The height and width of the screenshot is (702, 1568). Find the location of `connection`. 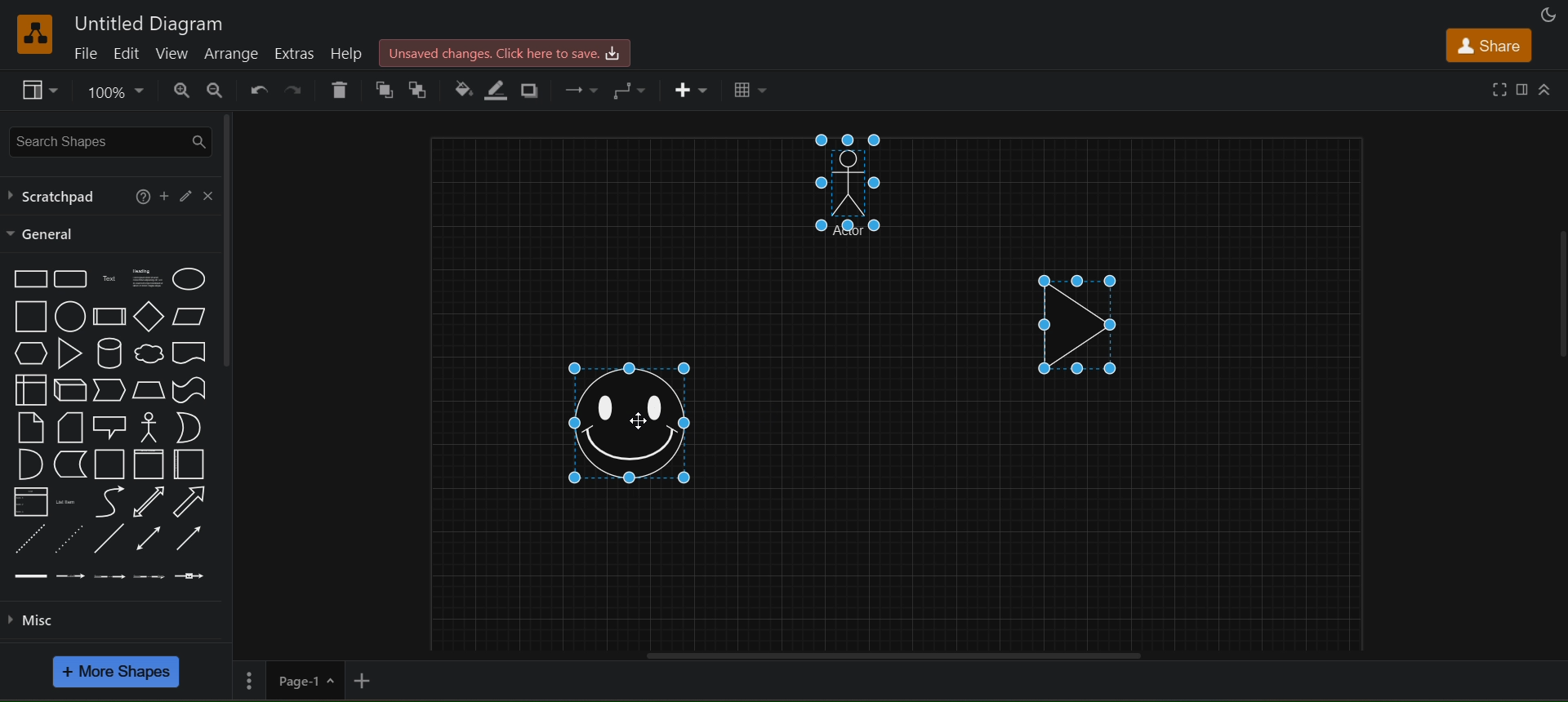

connection is located at coordinates (581, 88).